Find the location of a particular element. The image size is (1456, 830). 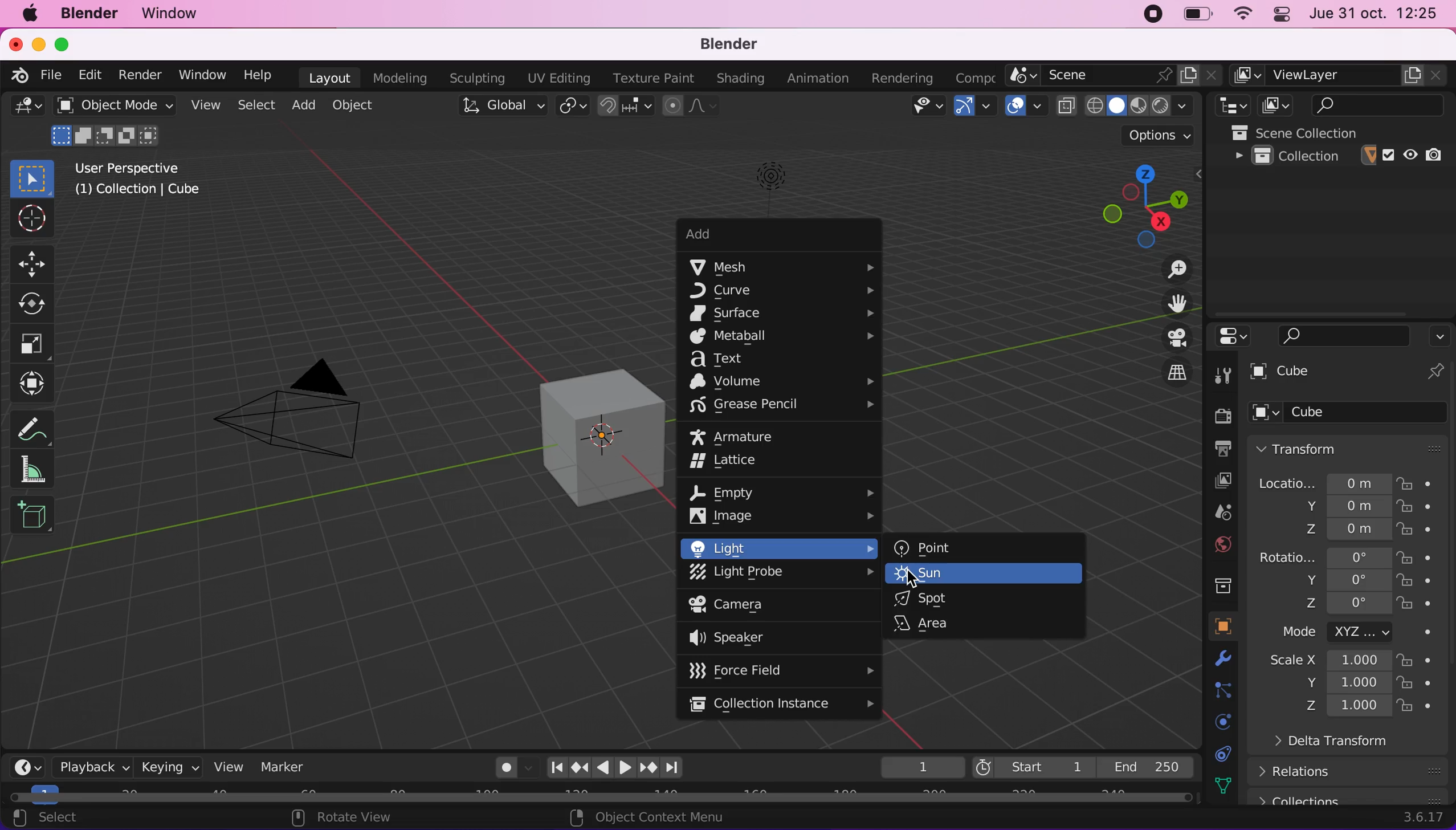

transform is located at coordinates (35, 384).